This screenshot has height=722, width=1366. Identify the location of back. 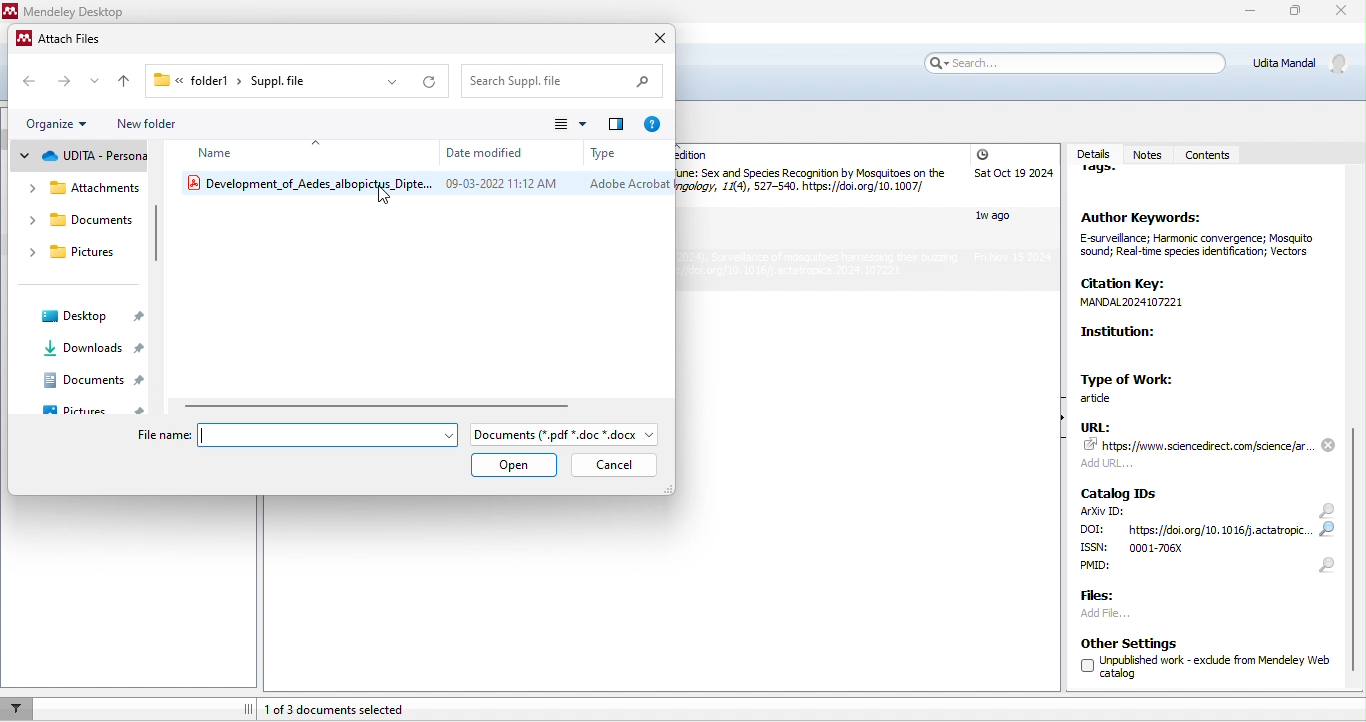
(27, 81).